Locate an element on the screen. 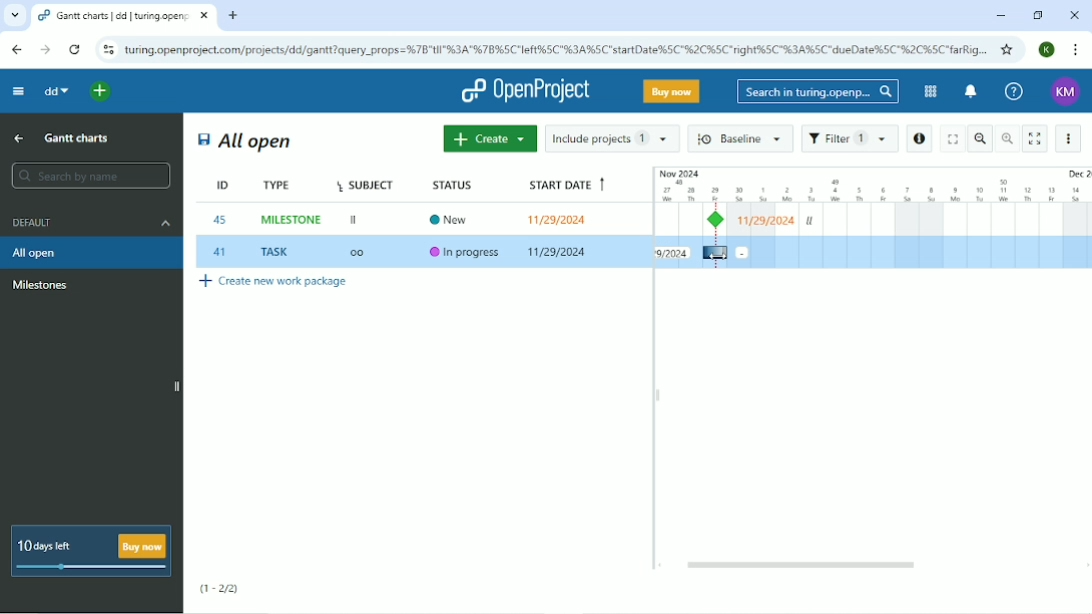  Type is located at coordinates (282, 186).